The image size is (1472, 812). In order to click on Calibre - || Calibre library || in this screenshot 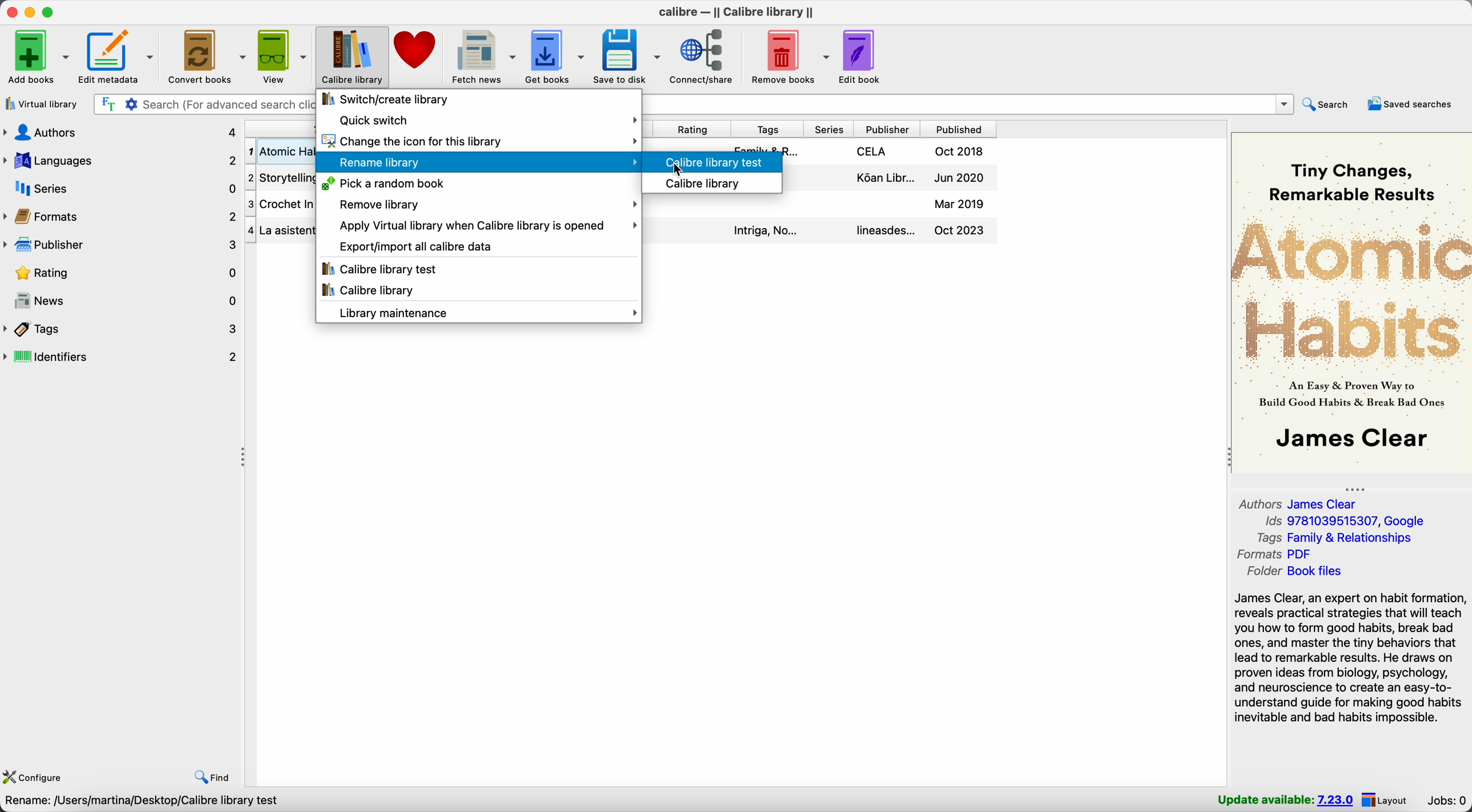, I will do `click(738, 10)`.